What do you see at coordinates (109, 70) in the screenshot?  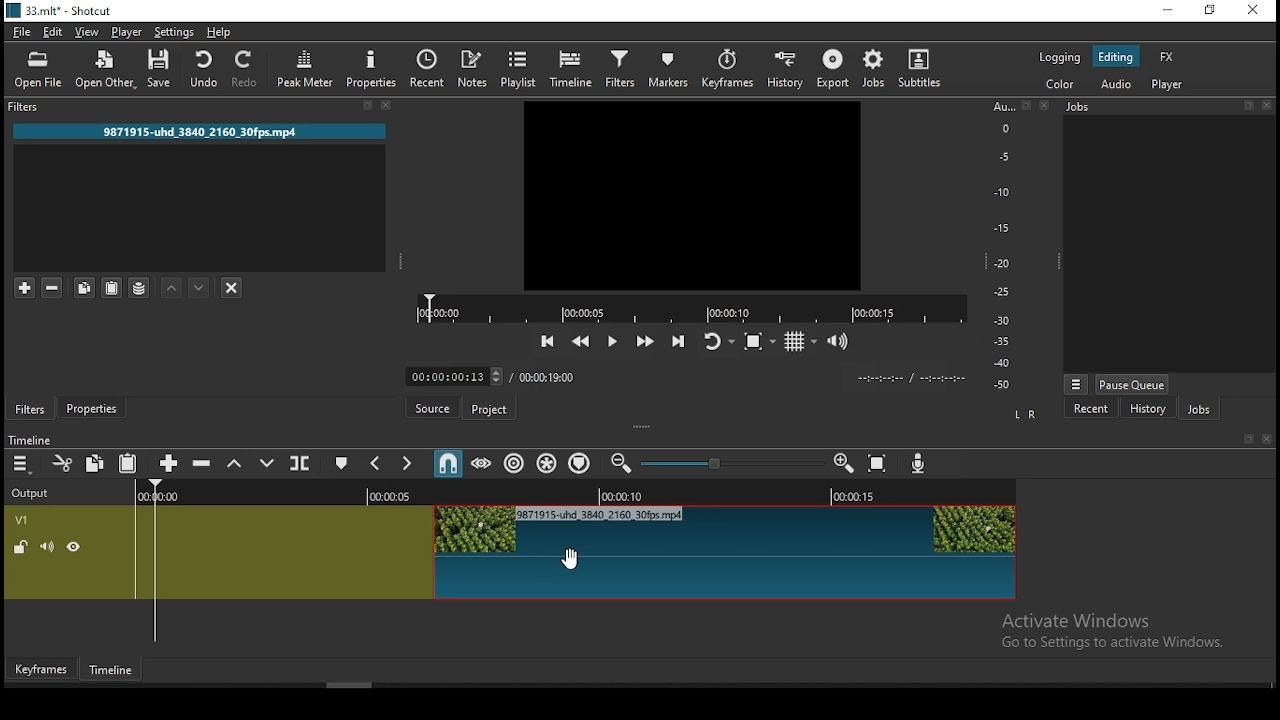 I see `open other` at bounding box center [109, 70].